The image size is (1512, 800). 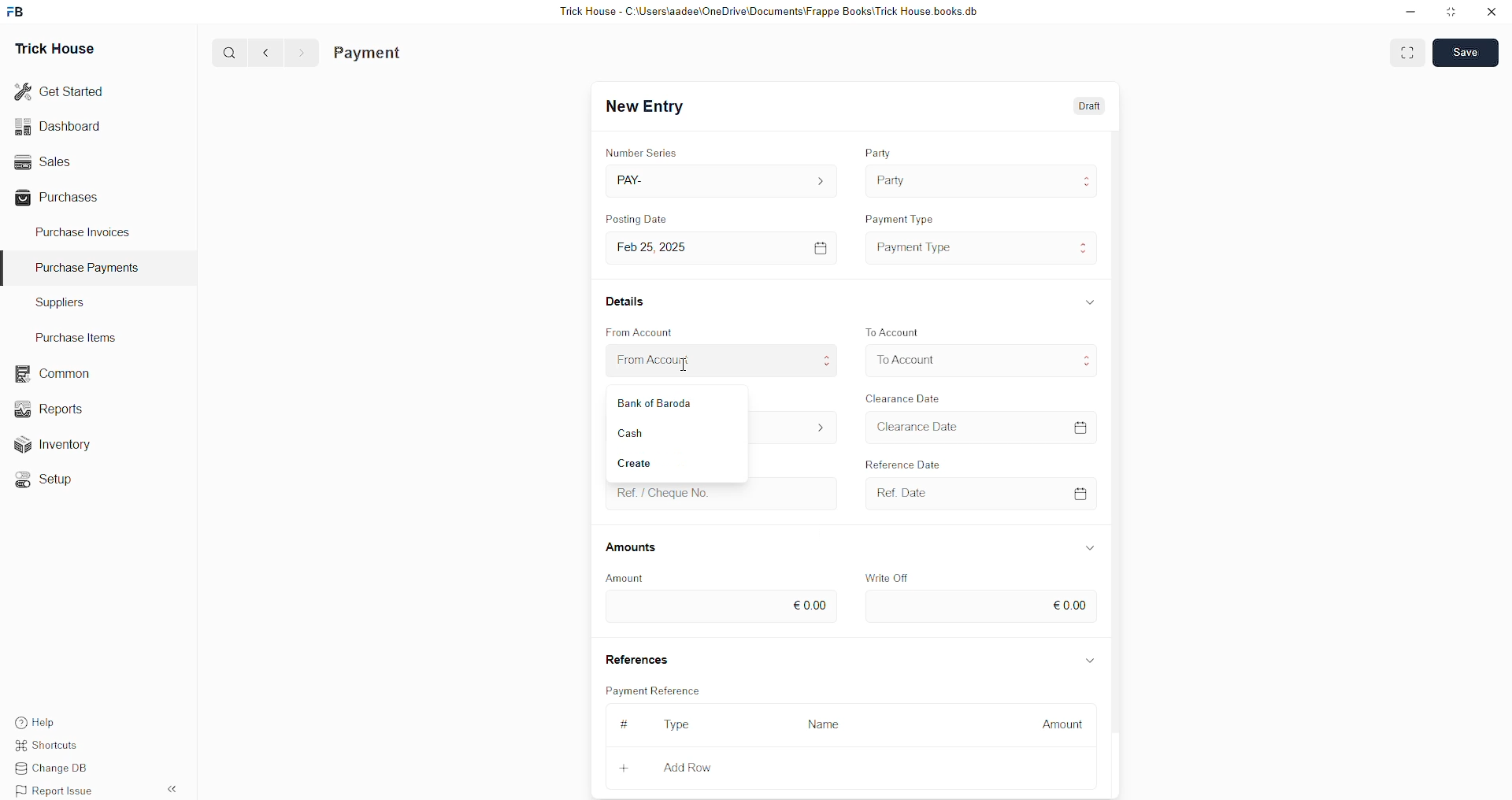 I want to click on Sales, so click(x=41, y=160).